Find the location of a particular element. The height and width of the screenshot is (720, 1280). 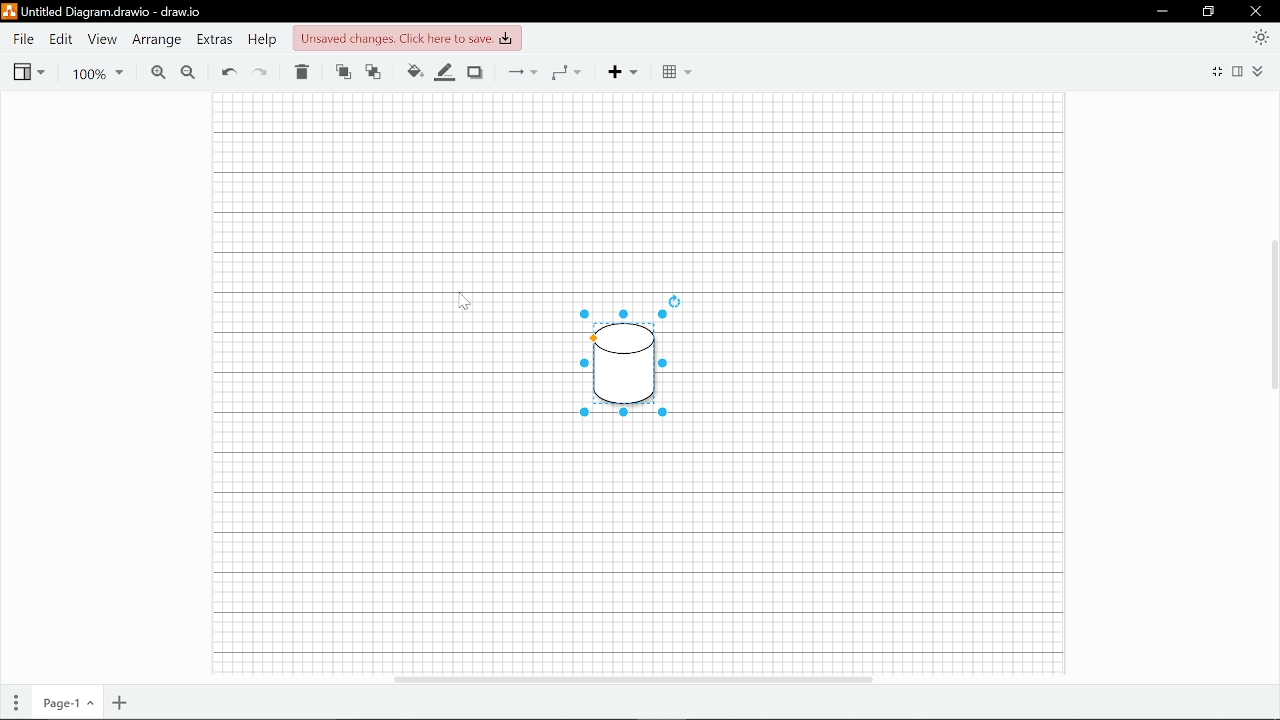

Fill line is located at coordinates (445, 73).